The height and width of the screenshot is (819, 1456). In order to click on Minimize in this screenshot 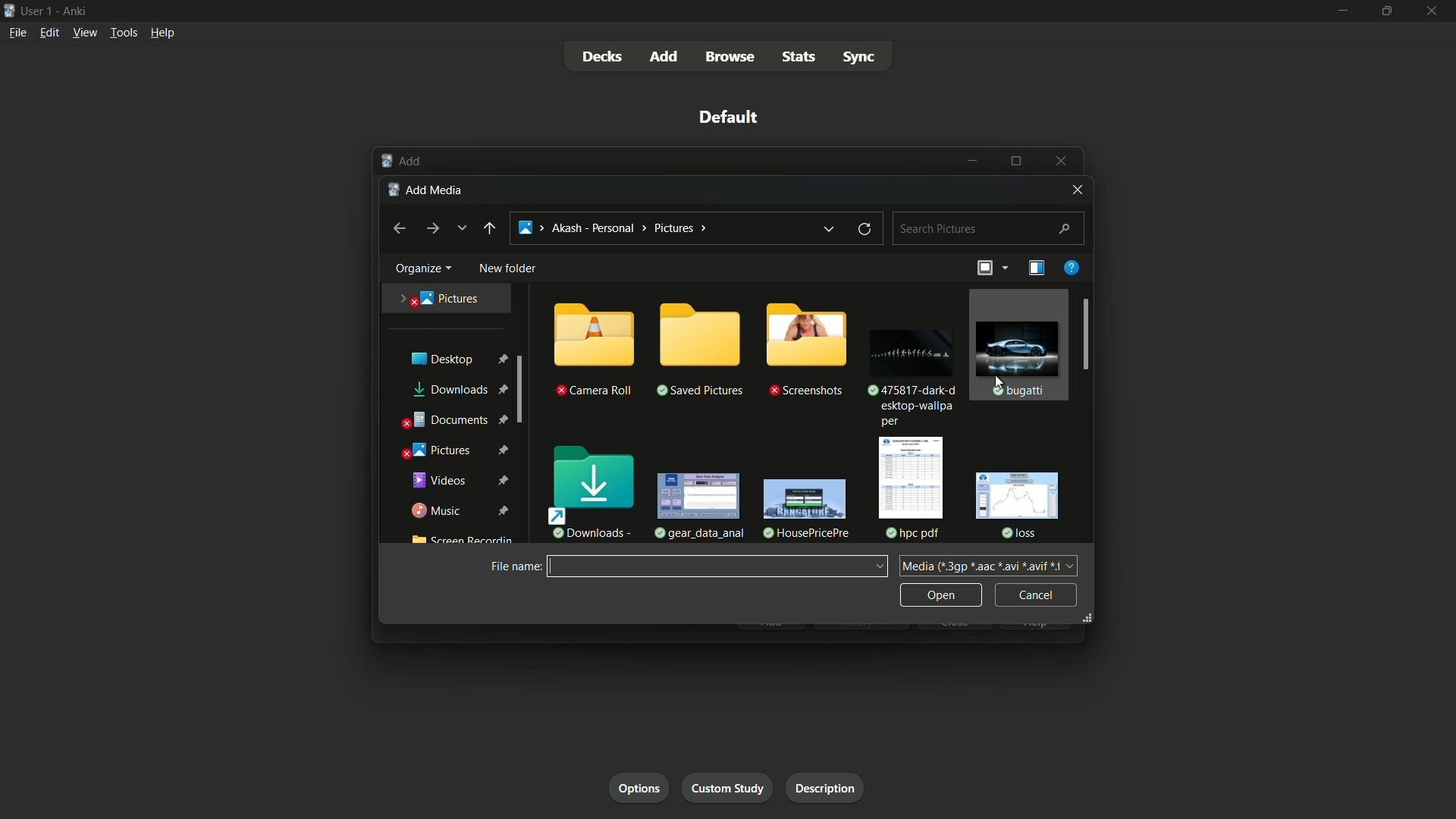, I will do `click(973, 161)`.